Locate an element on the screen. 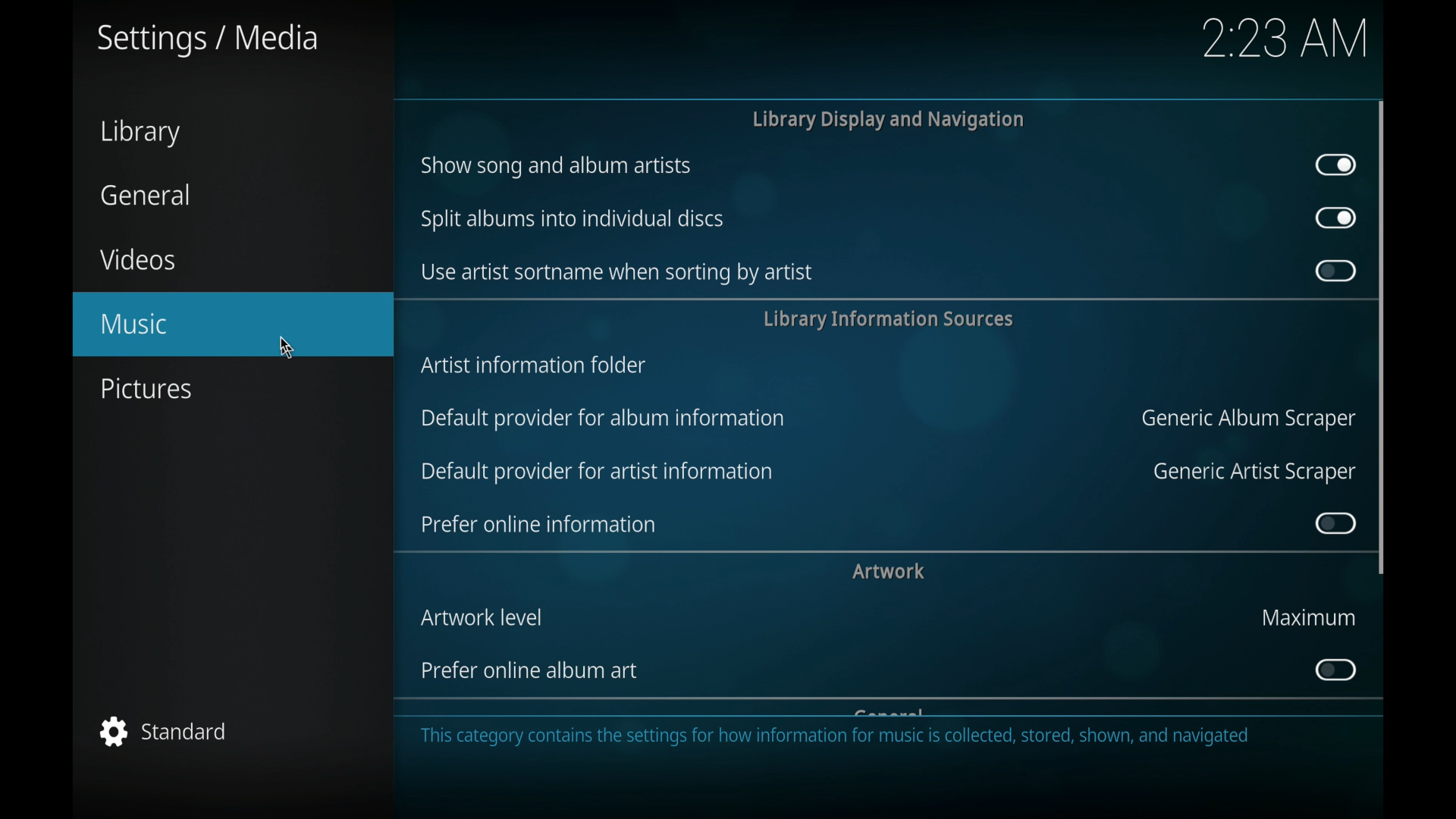  general is located at coordinates (143, 194).